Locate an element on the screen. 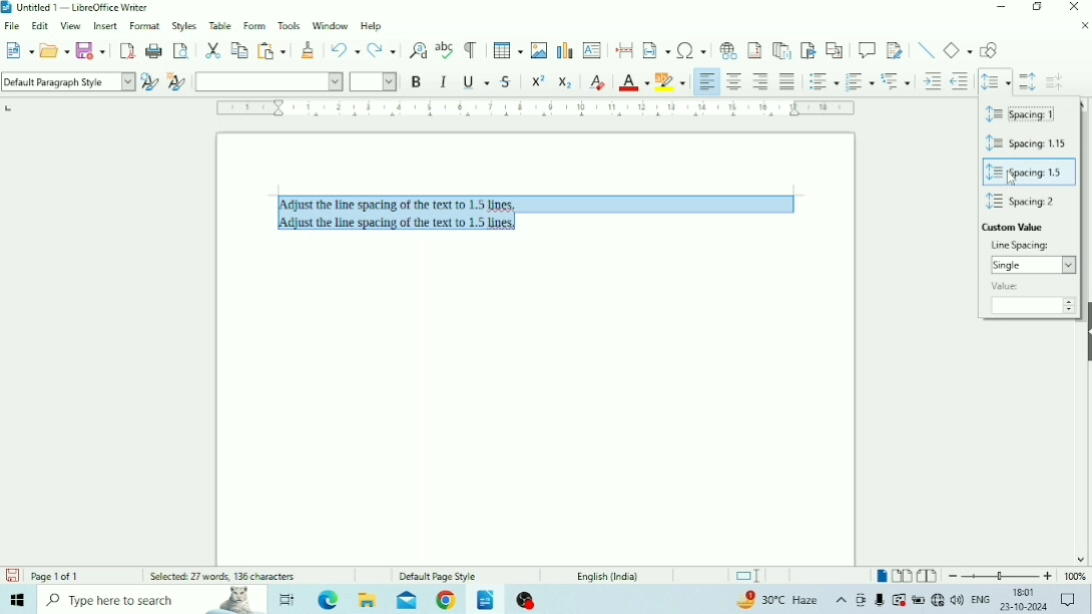  Undo is located at coordinates (345, 49).